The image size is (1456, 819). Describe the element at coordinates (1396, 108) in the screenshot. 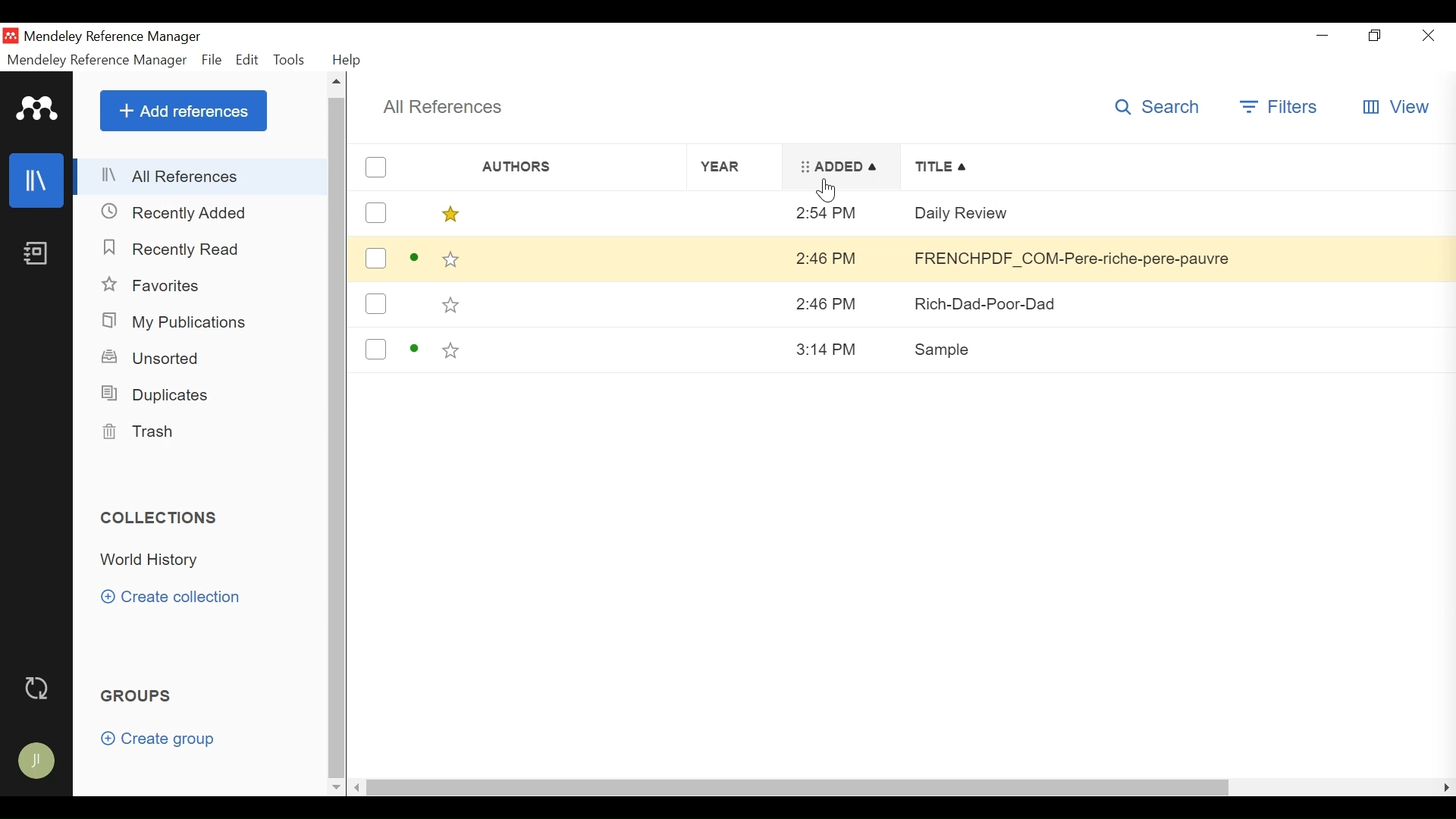

I see `View` at that location.